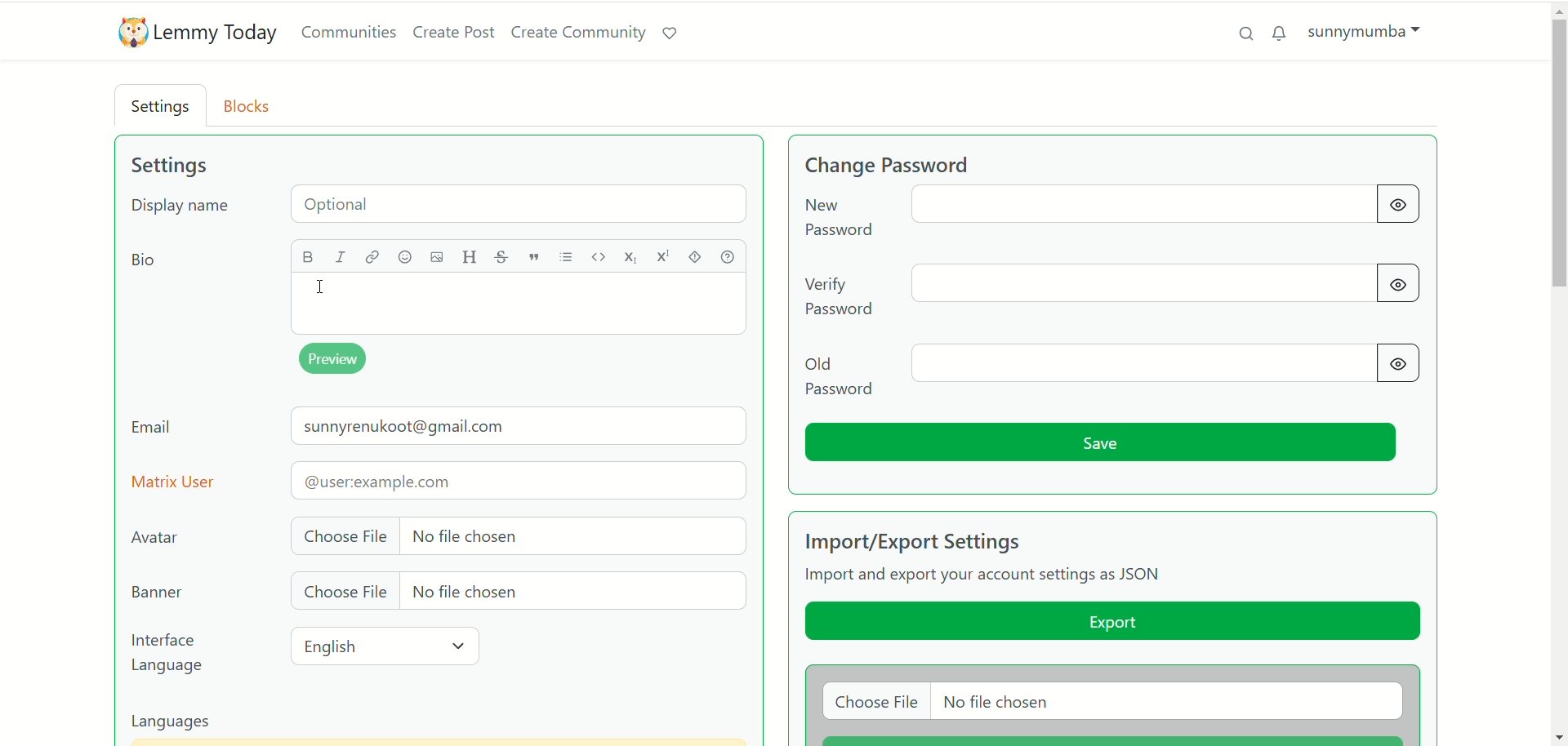 This screenshot has height=746, width=1568. I want to click on spoiler, so click(697, 256).